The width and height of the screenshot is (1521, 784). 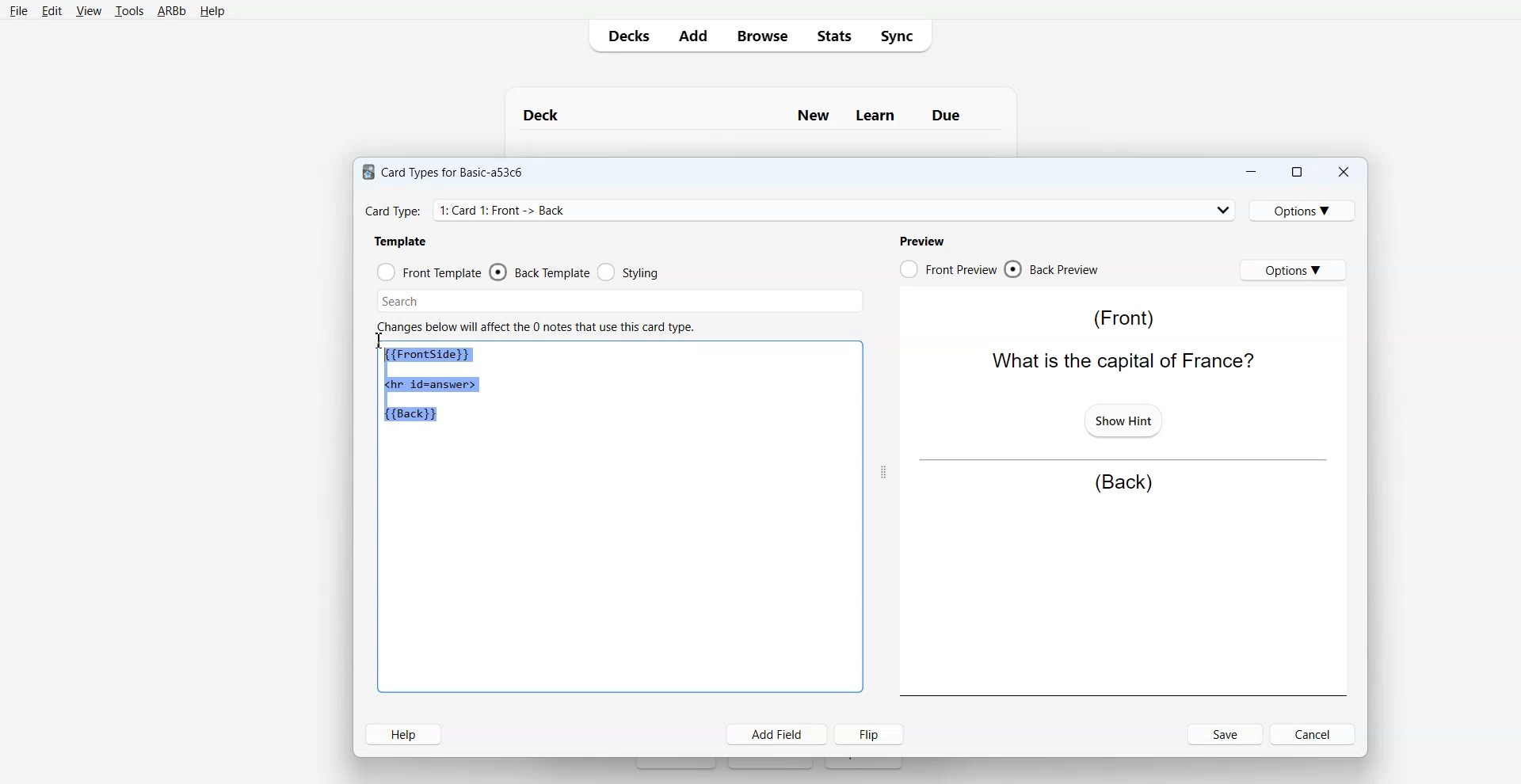 I want to click on Front Template, so click(x=429, y=272).